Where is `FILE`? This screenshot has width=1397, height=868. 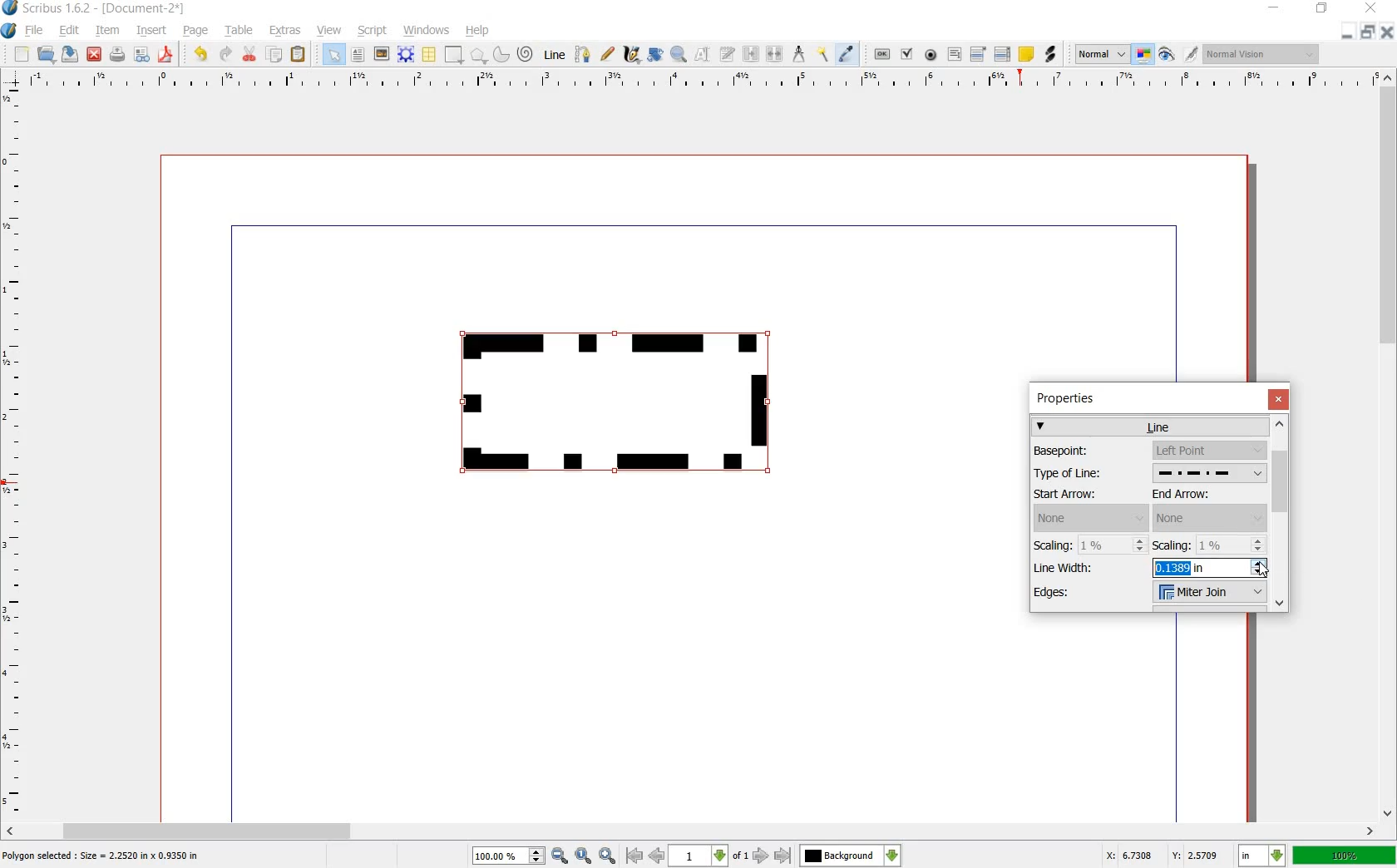 FILE is located at coordinates (34, 32).